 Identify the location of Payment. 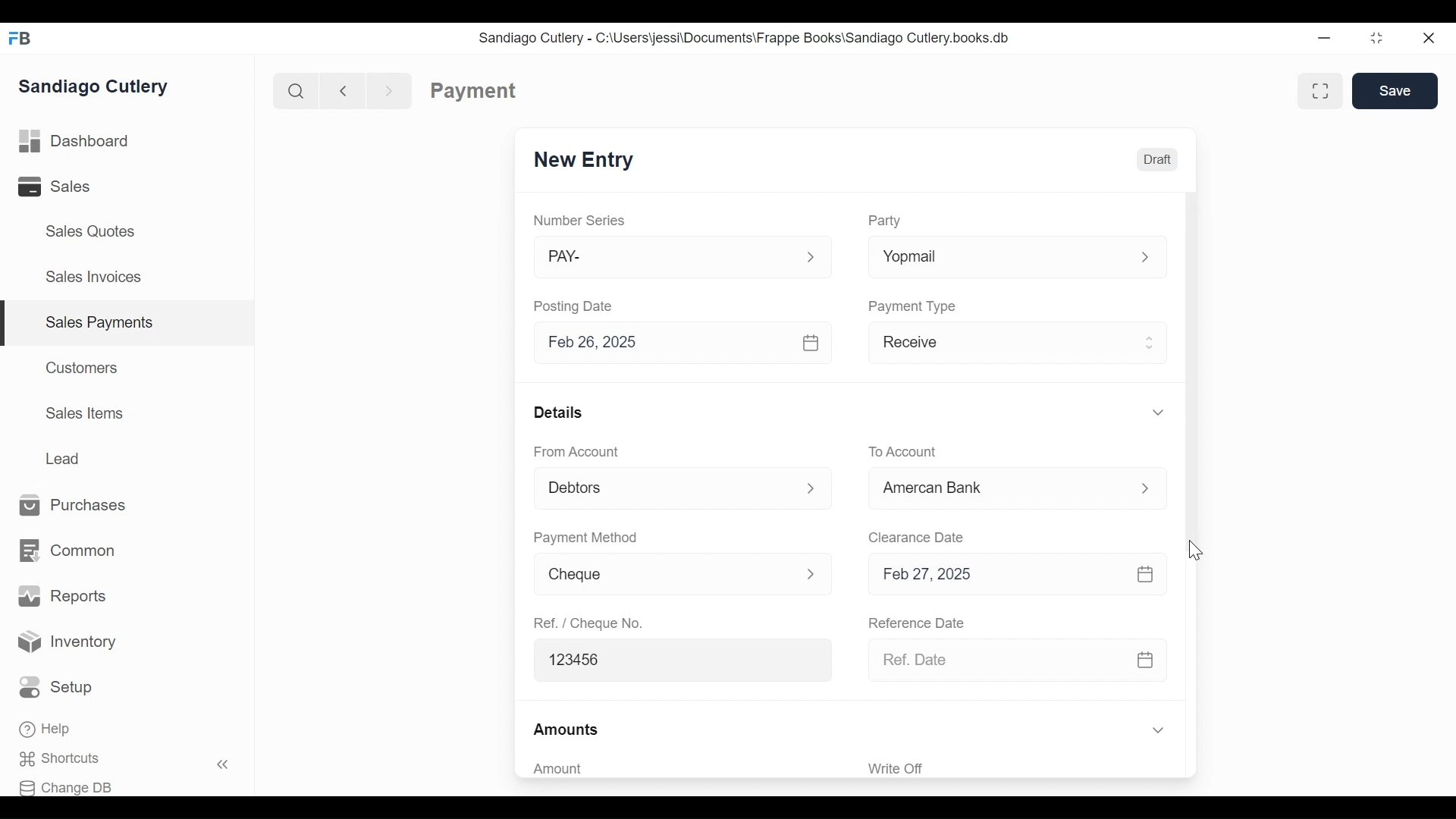
(474, 91).